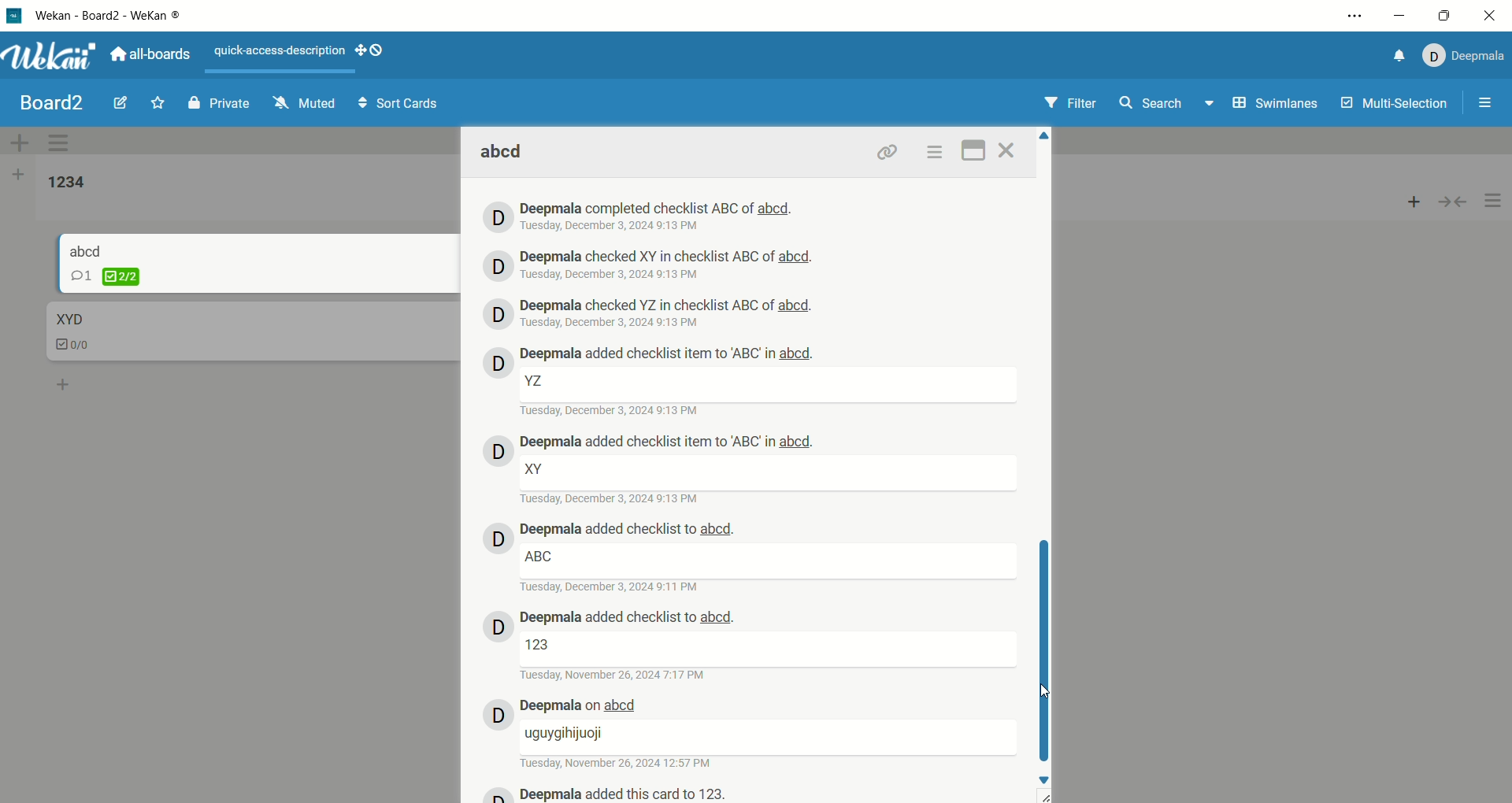  I want to click on maximize, so click(975, 149).